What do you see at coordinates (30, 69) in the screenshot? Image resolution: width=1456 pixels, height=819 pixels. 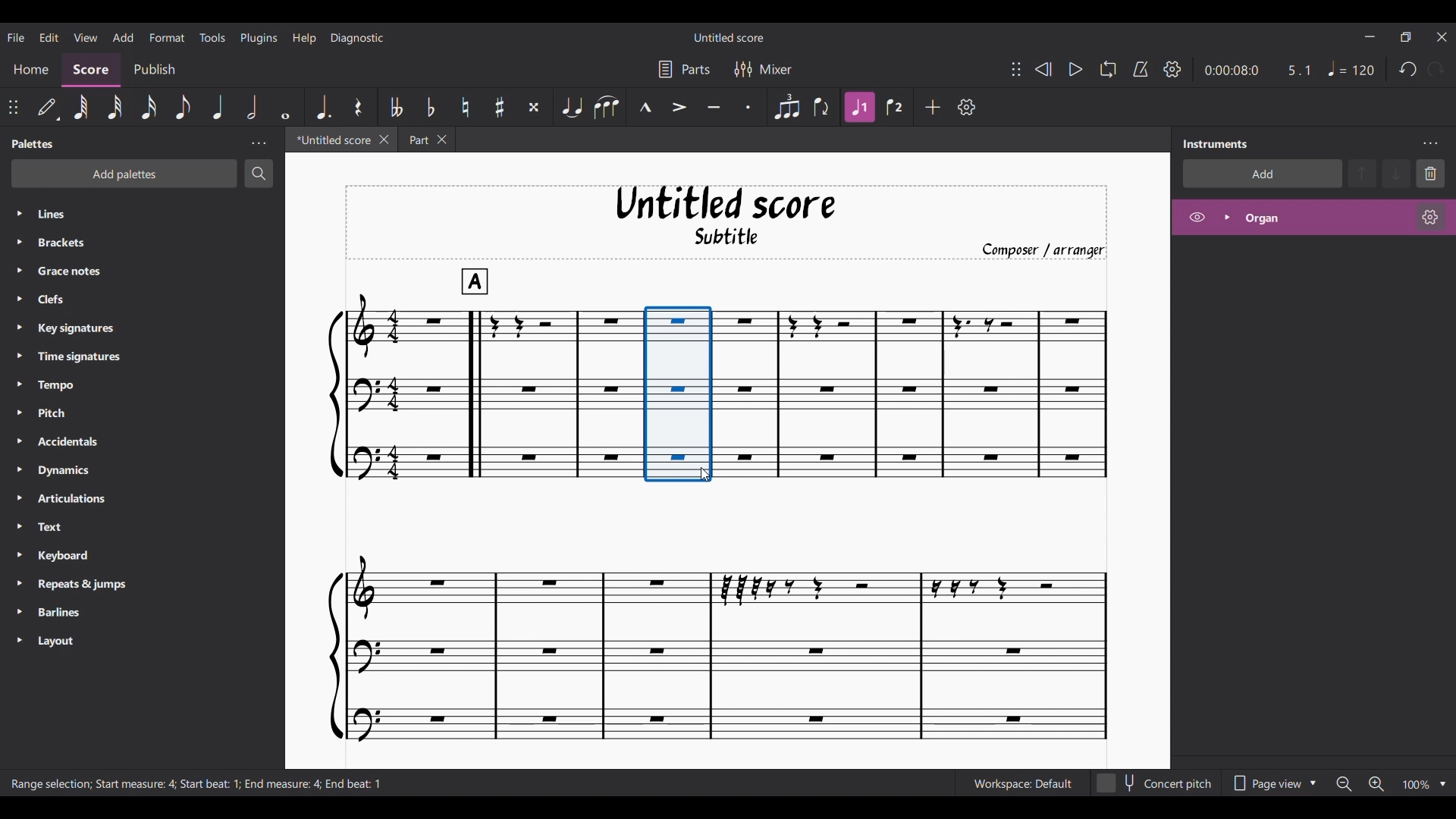 I see `Home section` at bounding box center [30, 69].